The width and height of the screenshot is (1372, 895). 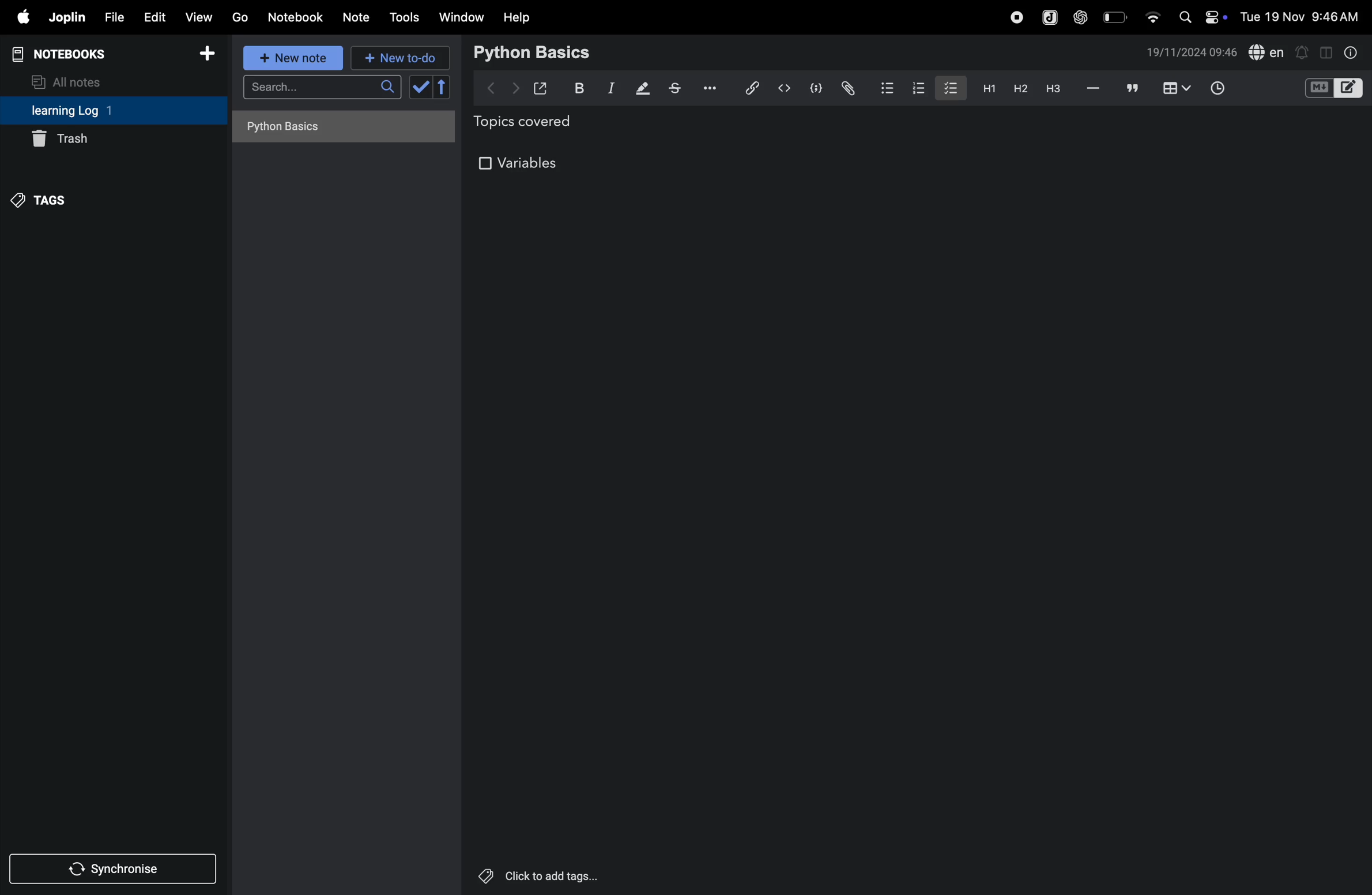 I want to click on alert, so click(x=1303, y=51).